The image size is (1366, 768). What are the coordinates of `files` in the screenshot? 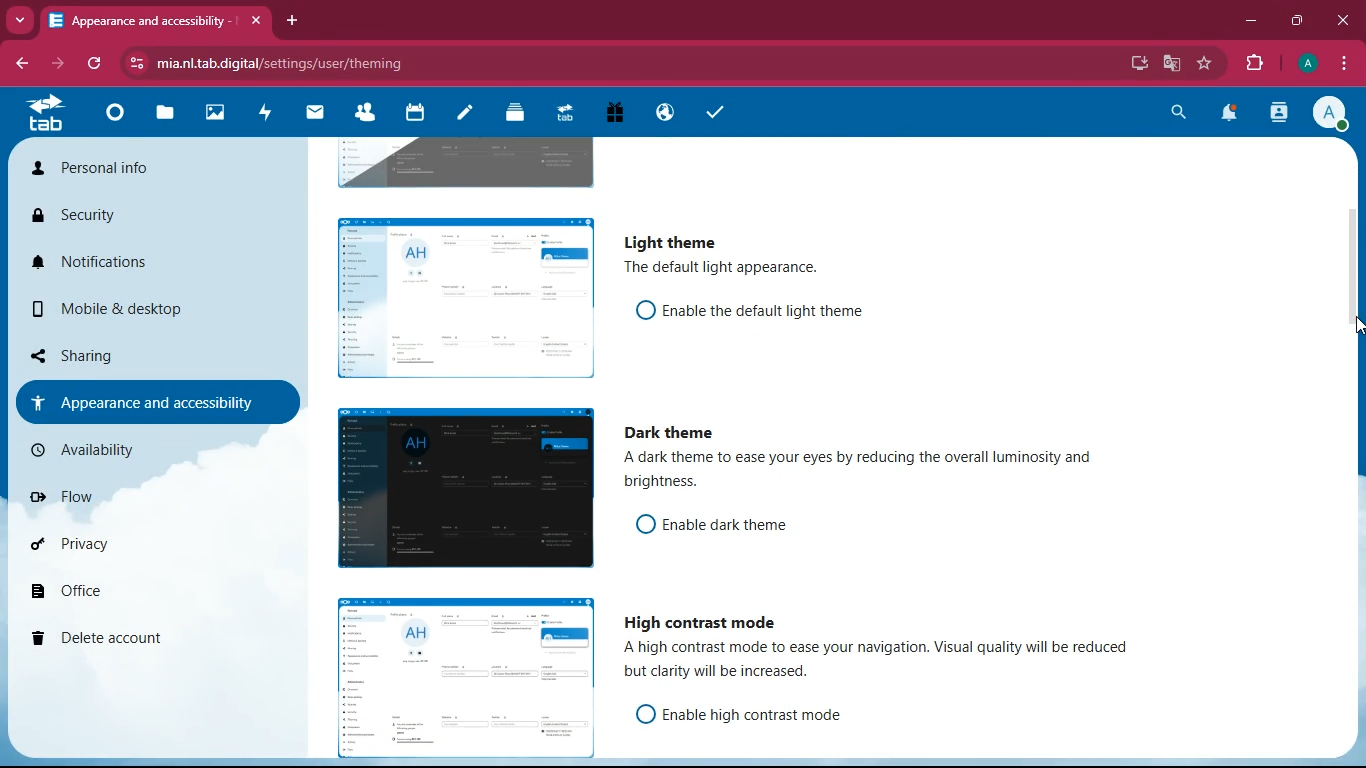 It's located at (162, 116).